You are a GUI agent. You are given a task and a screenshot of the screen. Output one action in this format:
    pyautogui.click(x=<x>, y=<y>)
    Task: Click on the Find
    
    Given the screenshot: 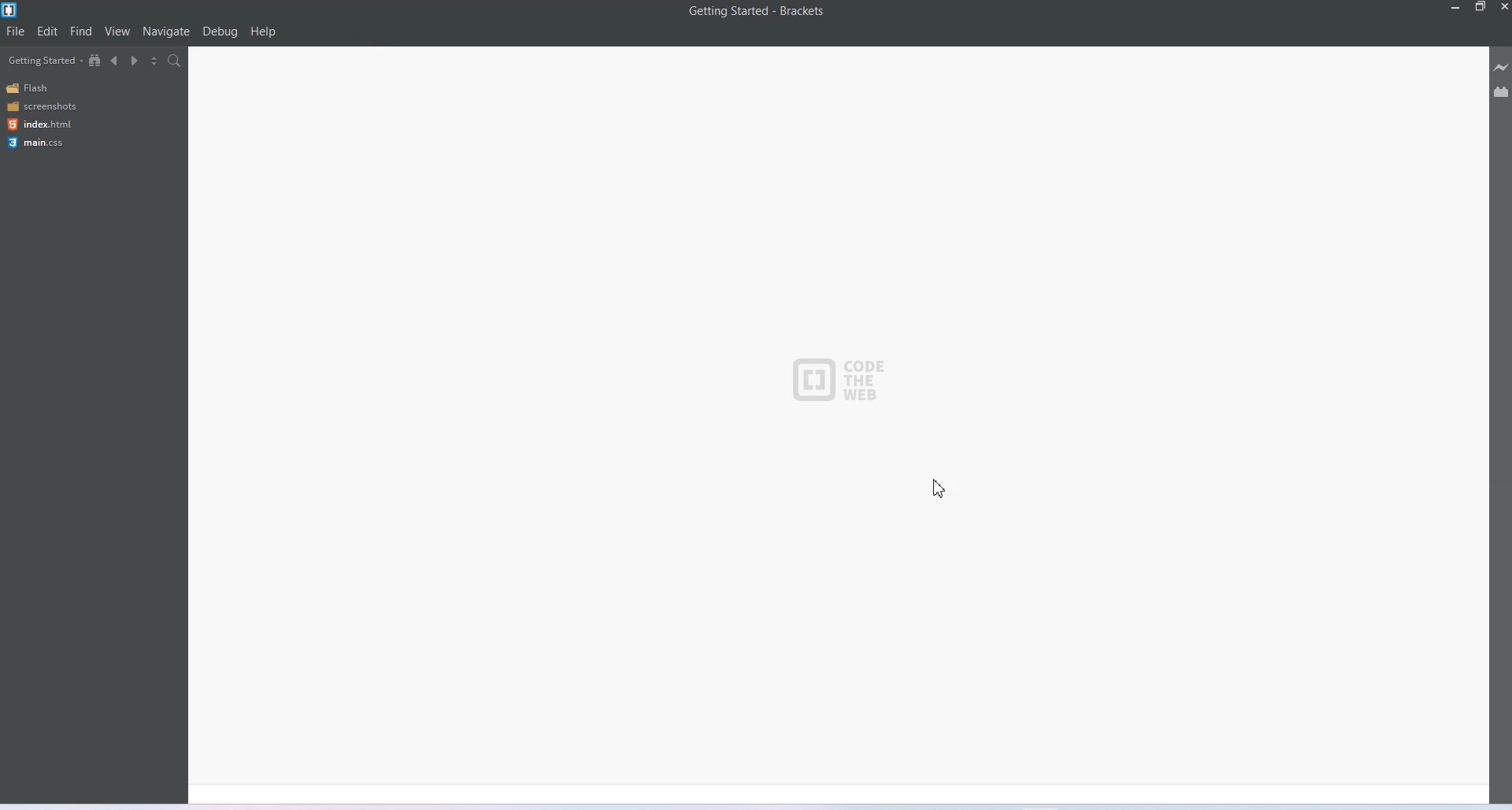 What is the action you would take?
    pyautogui.click(x=82, y=32)
    